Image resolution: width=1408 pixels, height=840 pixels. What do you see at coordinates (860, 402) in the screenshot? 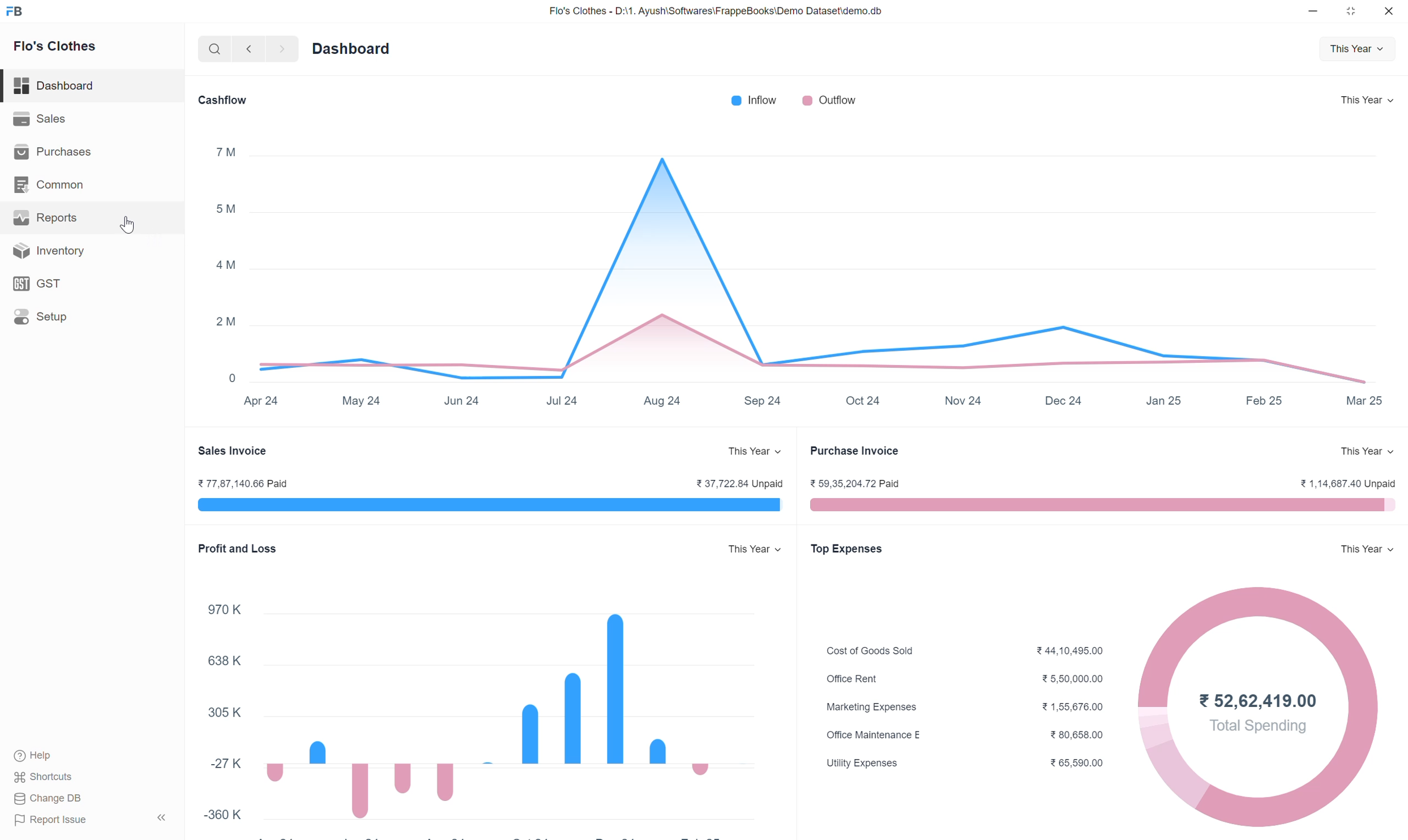
I see `Oct 24` at bounding box center [860, 402].